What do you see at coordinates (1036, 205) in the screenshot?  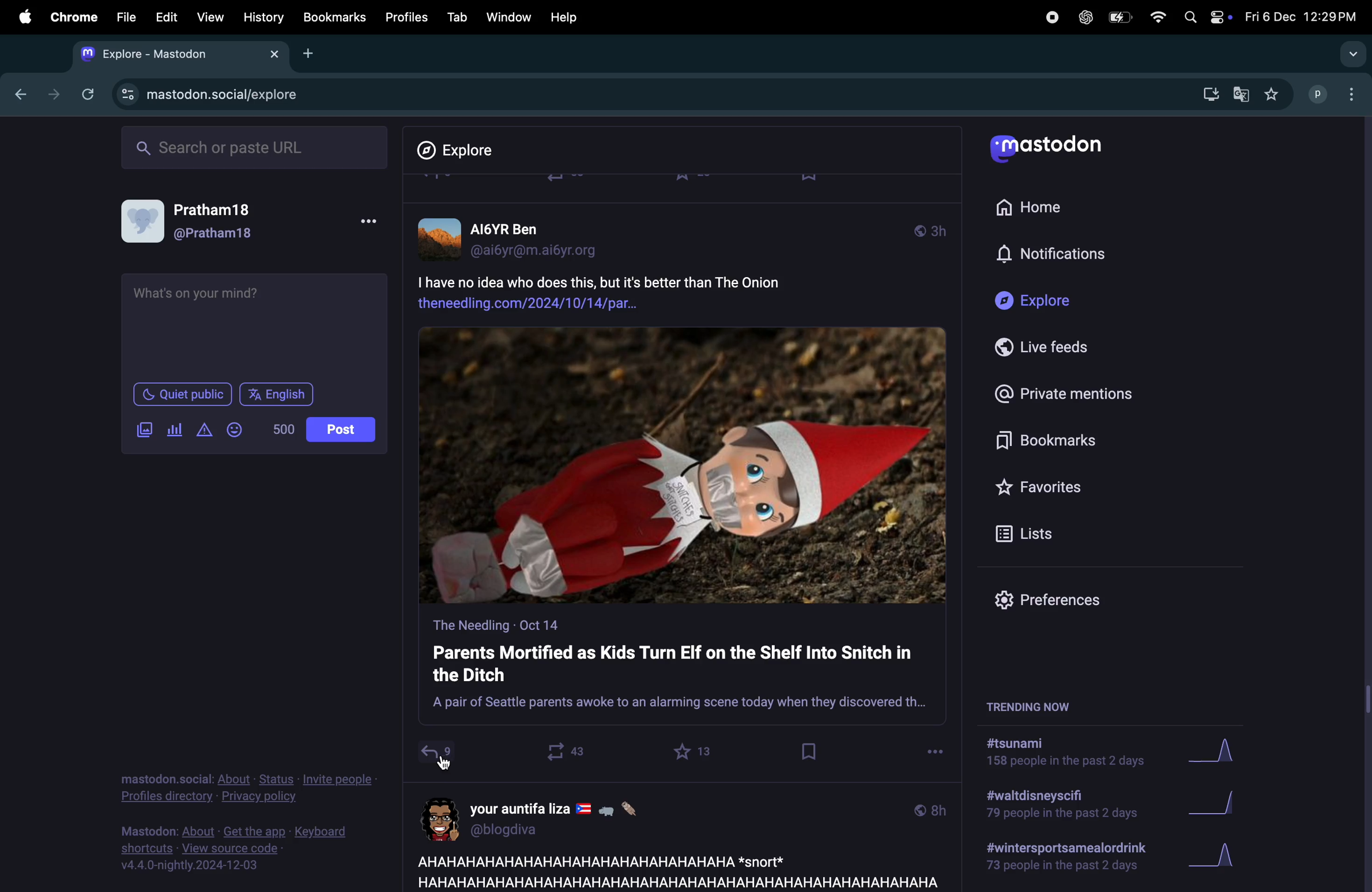 I see `Home` at bounding box center [1036, 205].